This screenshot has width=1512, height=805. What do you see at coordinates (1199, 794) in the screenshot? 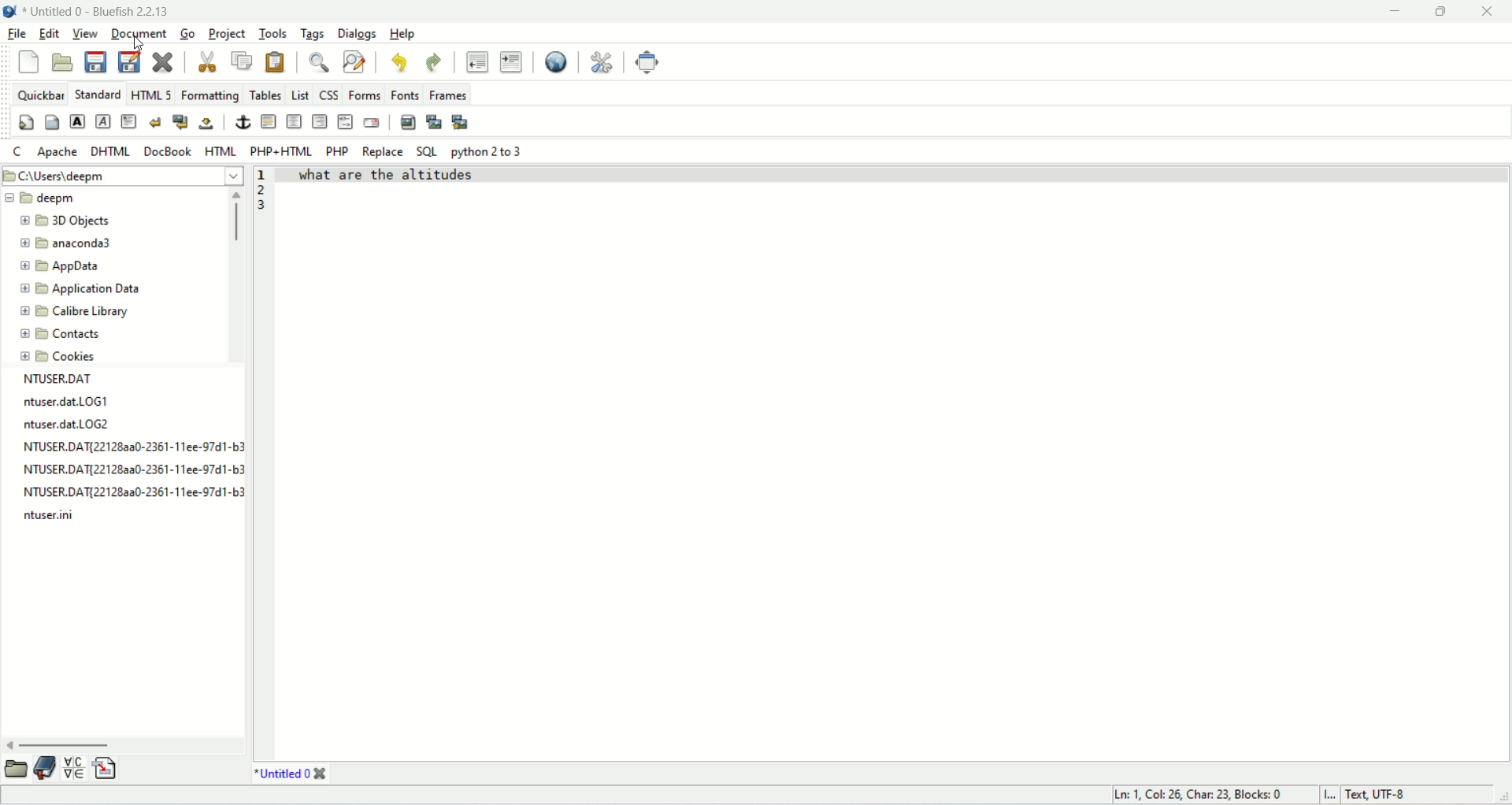
I see `ln, col, char, blocks` at bounding box center [1199, 794].